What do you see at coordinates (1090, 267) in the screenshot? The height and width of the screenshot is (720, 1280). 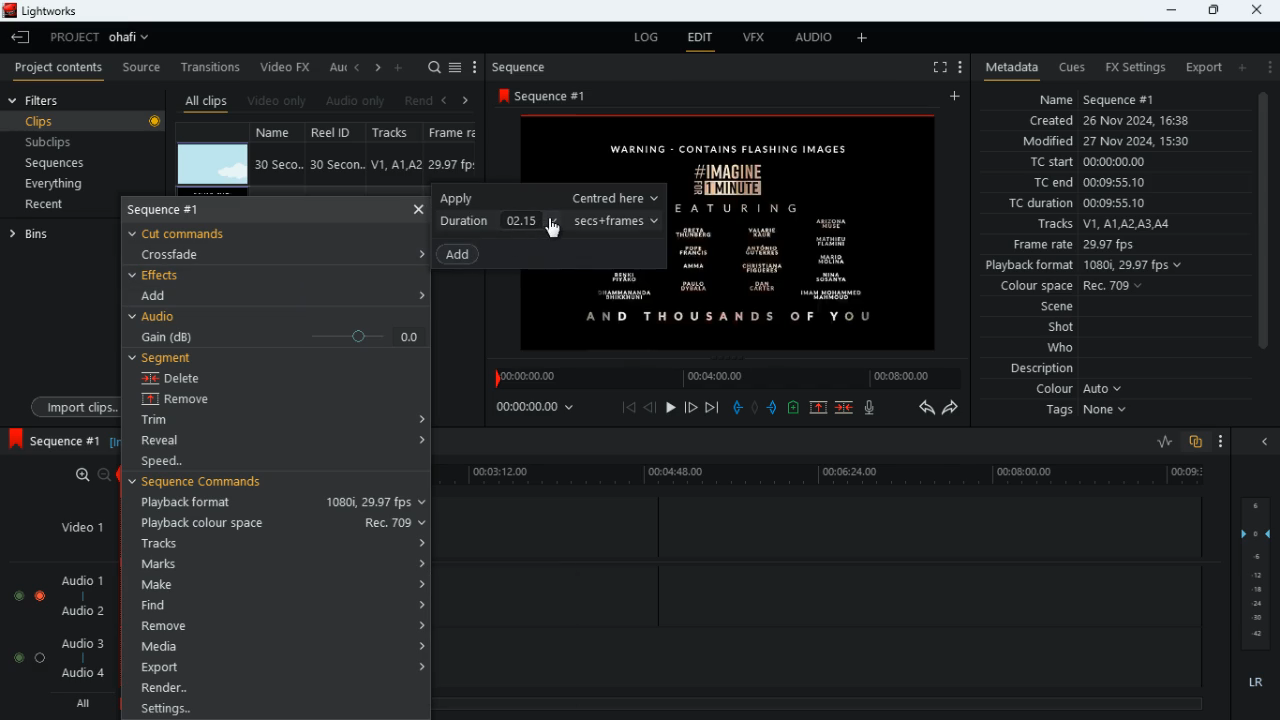 I see `playback format` at bounding box center [1090, 267].